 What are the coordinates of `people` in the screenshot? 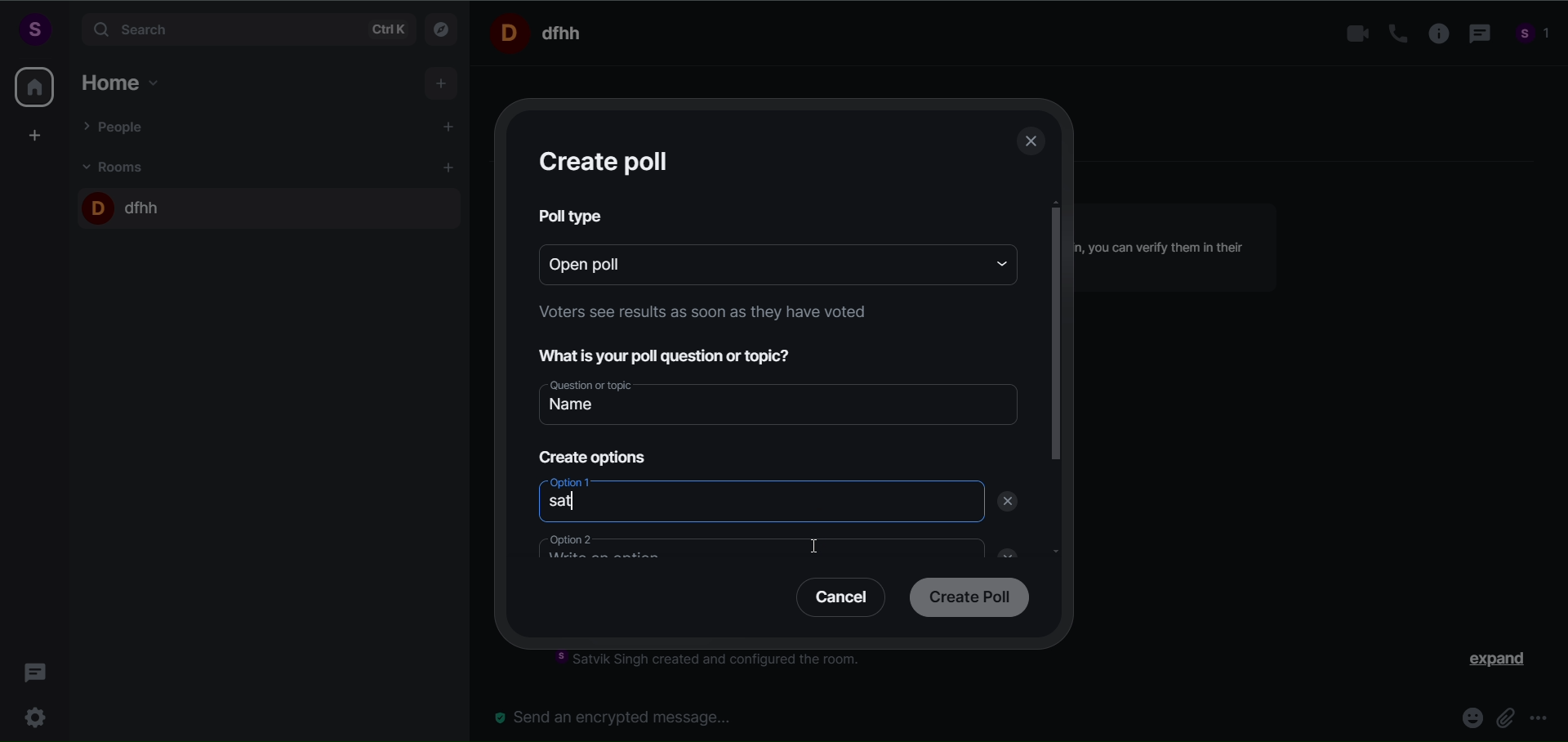 It's located at (117, 126).